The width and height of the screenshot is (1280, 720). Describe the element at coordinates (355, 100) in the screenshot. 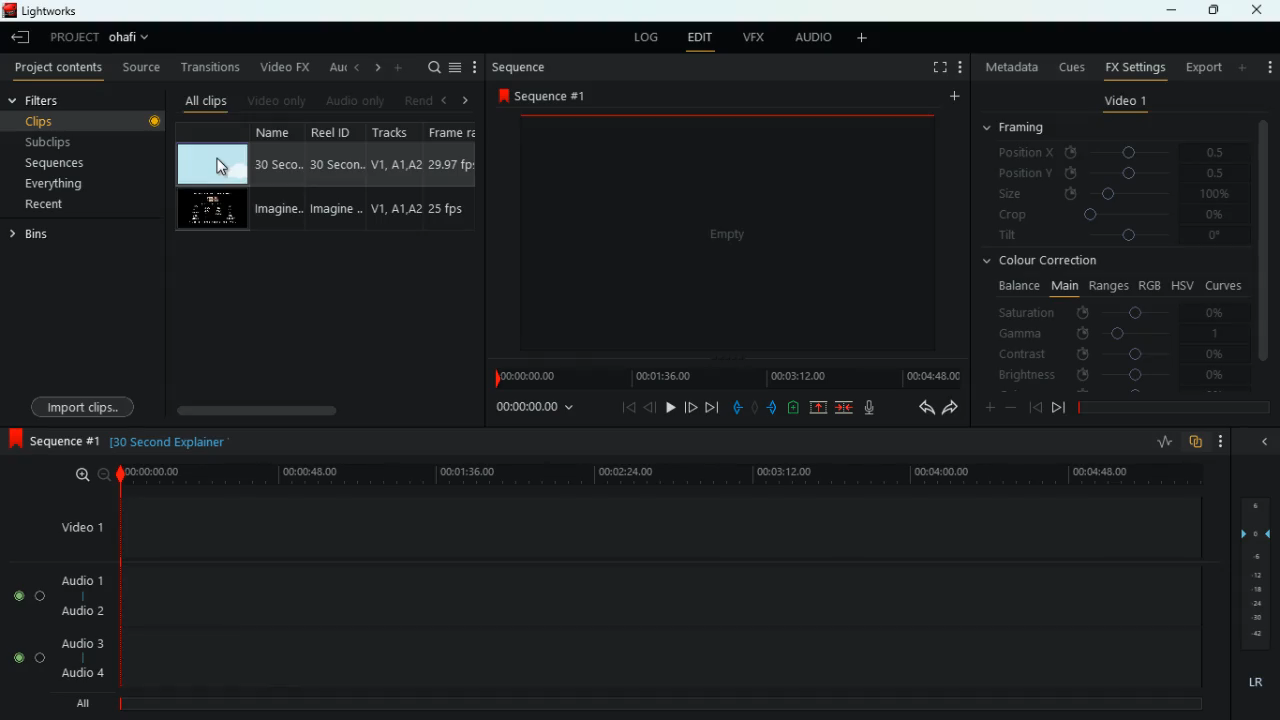

I see `audio only` at that location.